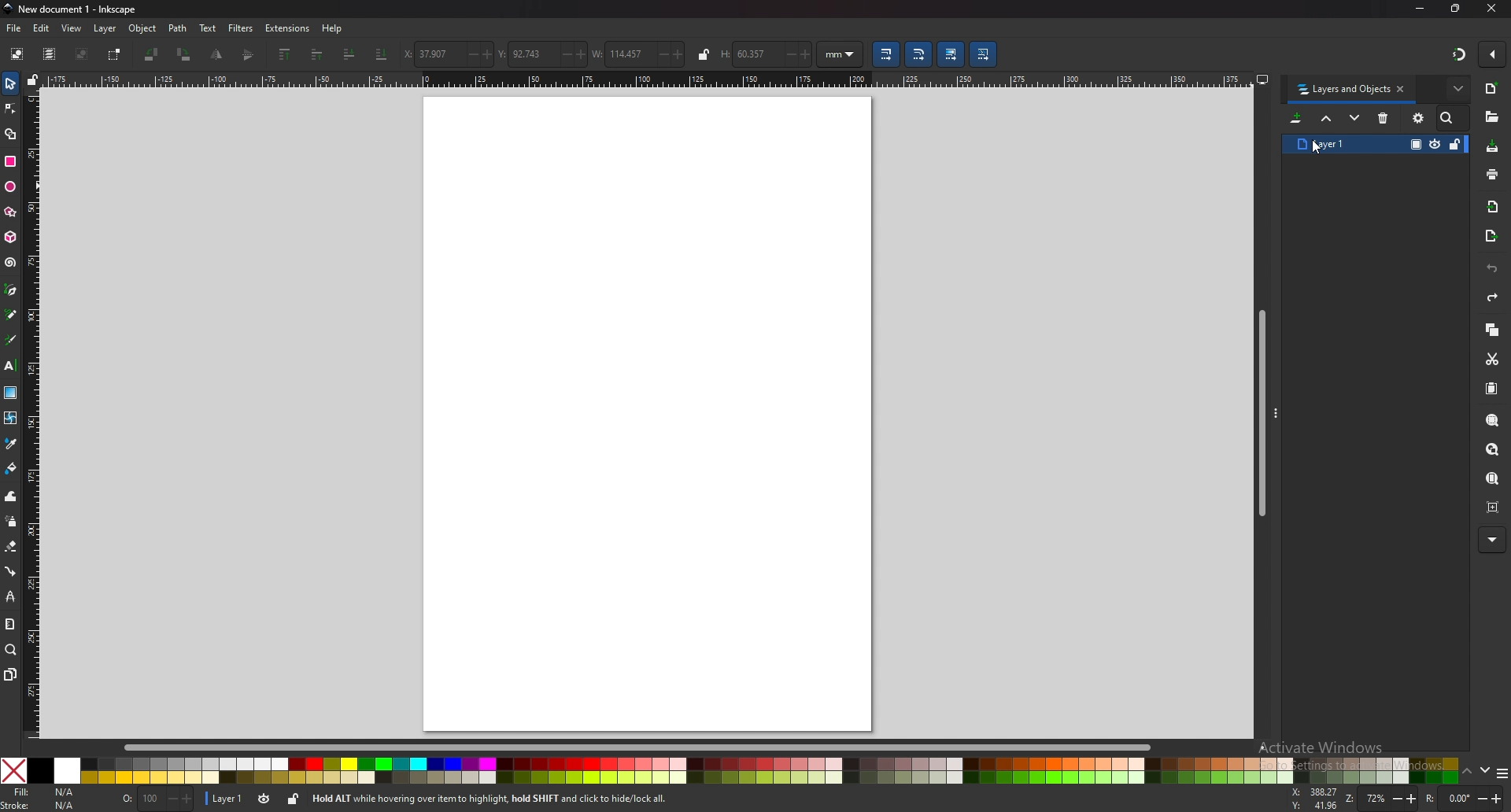  I want to click on opacity, so click(157, 797).